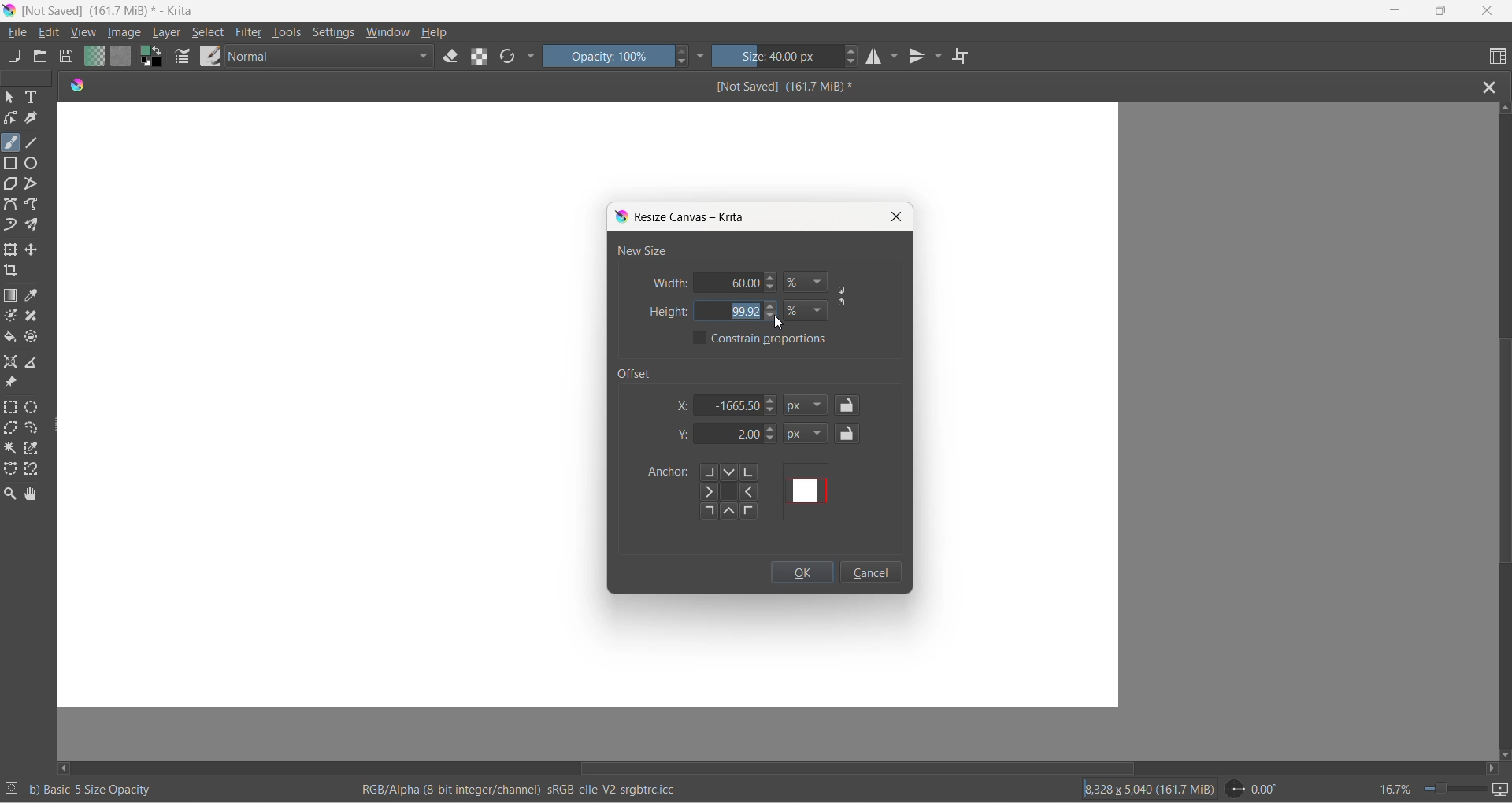 Image resolution: width=1512 pixels, height=803 pixels. I want to click on constant proportions checkbox, so click(701, 339).